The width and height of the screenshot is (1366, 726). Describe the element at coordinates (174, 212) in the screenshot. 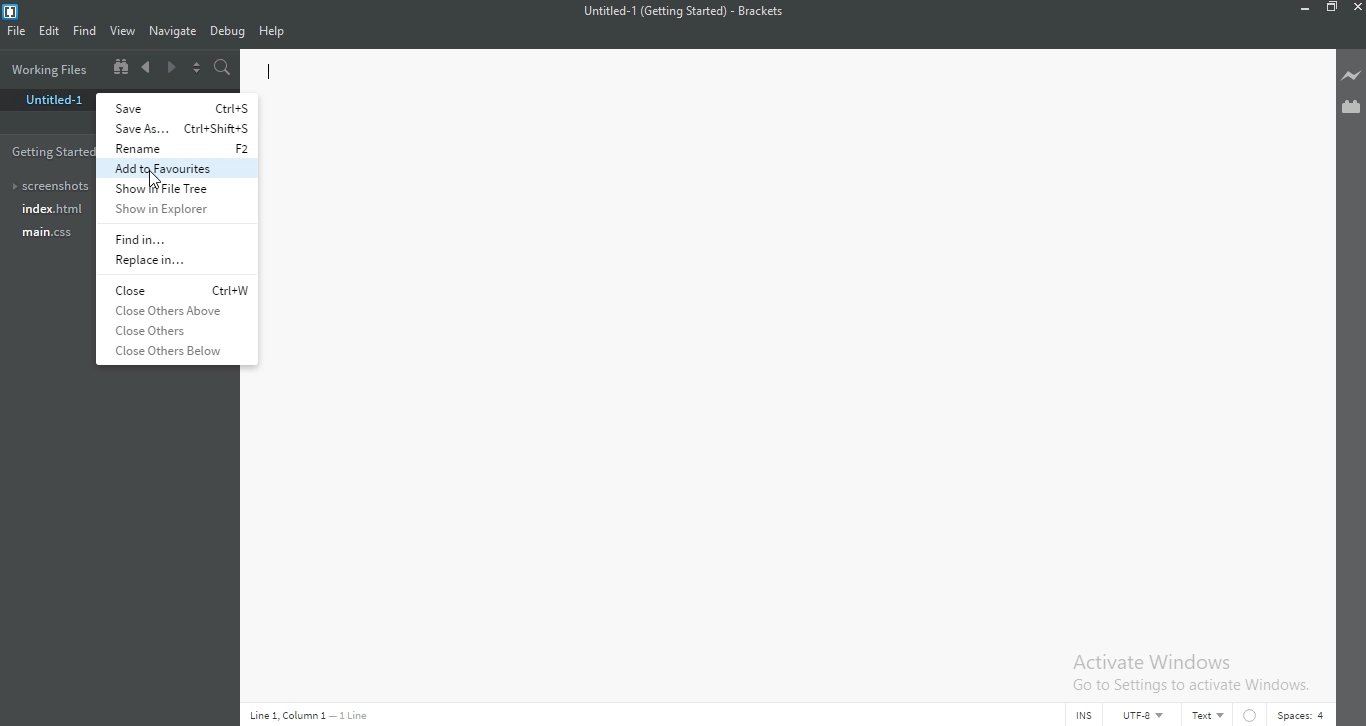

I see `show in explorer` at that location.